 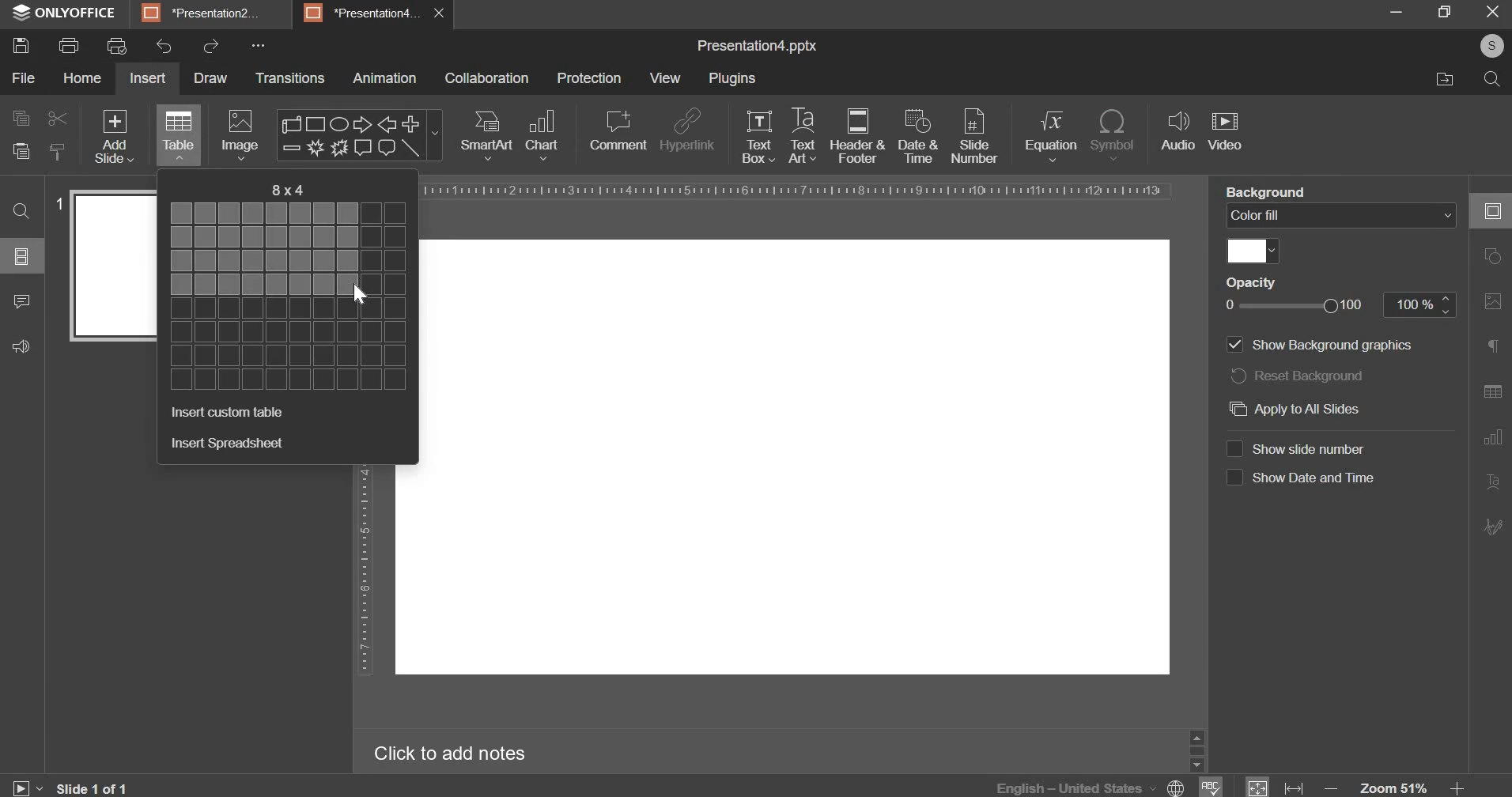 What do you see at coordinates (228, 444) in the screenshot?
I see `insert spreadsheet` at bounding box center [228, 444].